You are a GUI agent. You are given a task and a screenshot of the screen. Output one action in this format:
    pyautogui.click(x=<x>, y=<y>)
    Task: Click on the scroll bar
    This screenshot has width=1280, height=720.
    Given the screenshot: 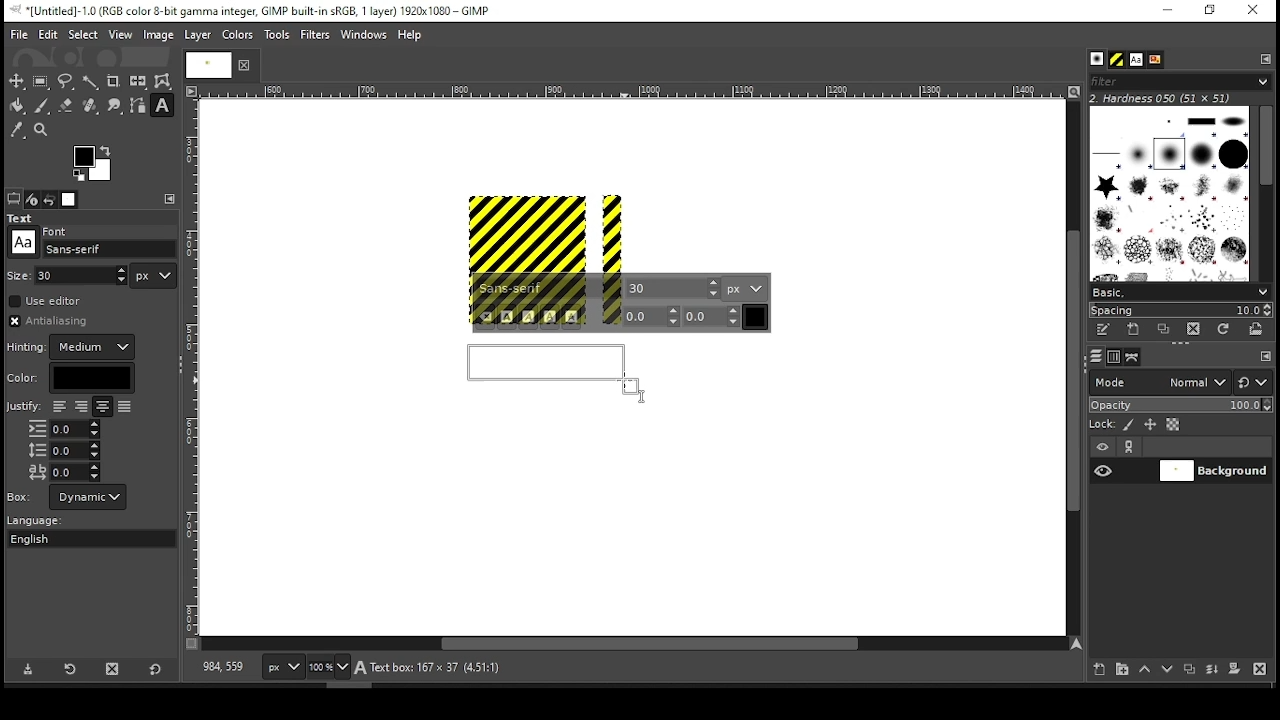 What is the action you would take?
    pyautogui.click(x=634, y=645)
    